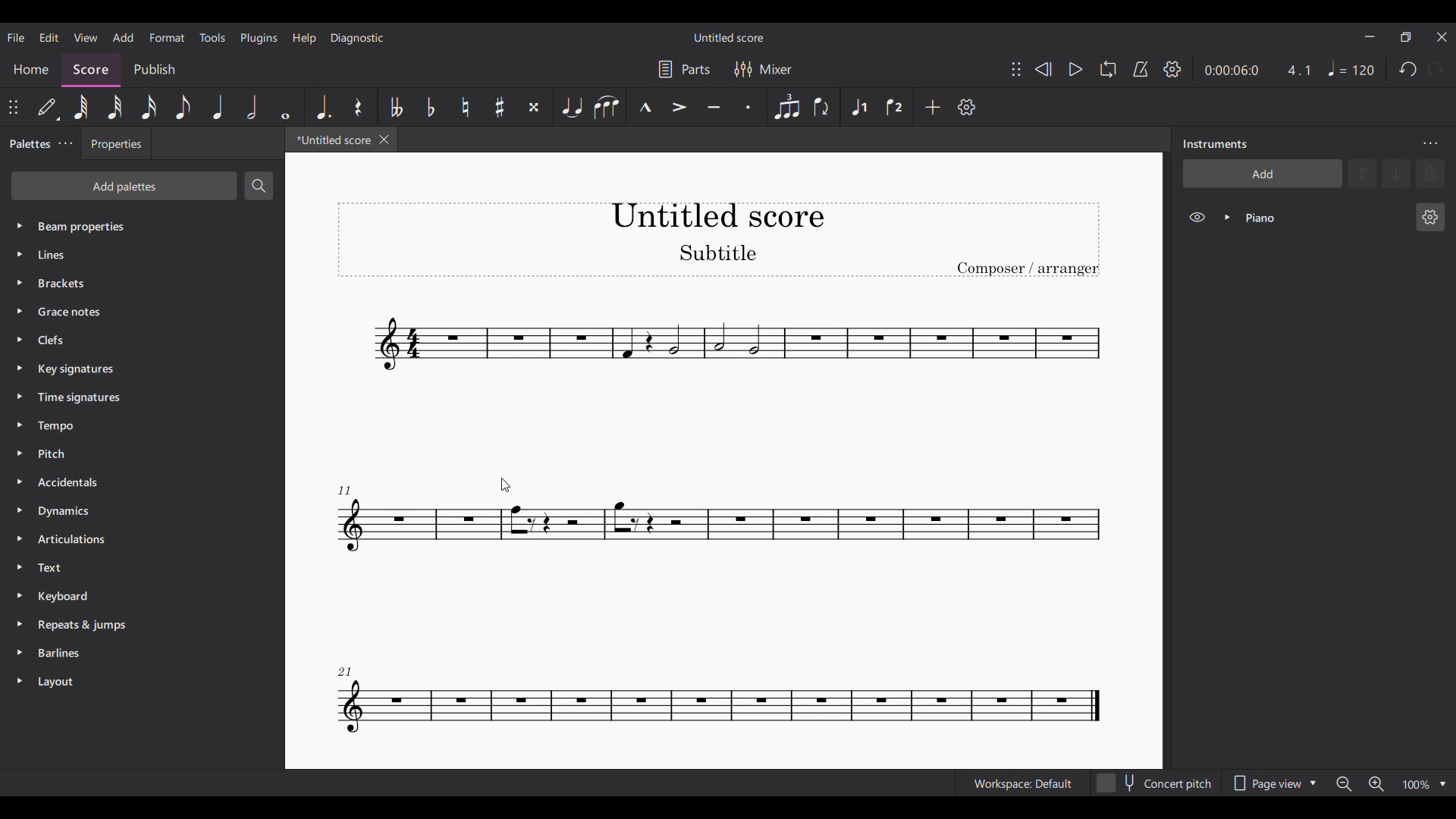  I want to click on Toggle double sharp, so click(535, 107).